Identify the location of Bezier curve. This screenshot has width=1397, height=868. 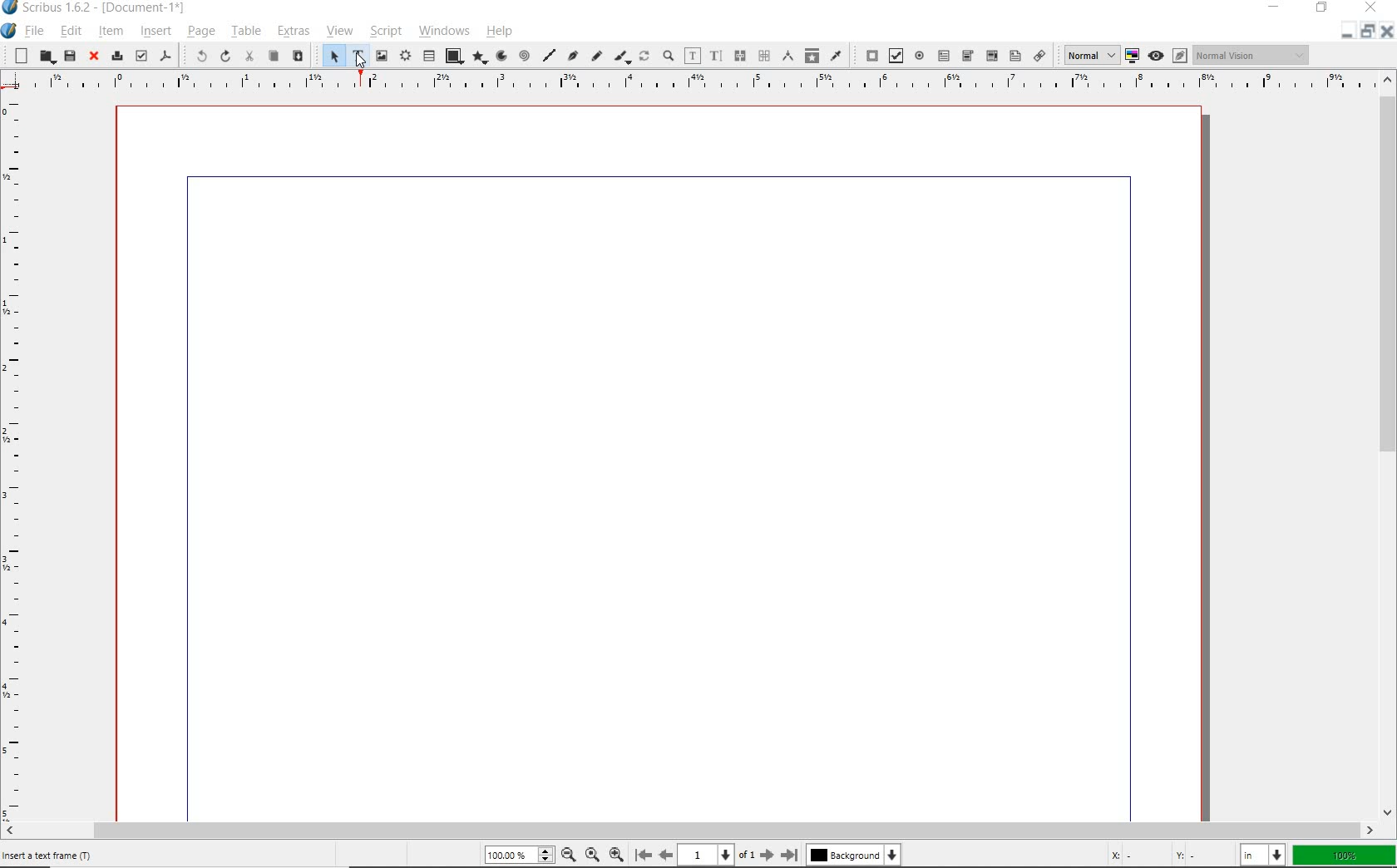
(572, 55).